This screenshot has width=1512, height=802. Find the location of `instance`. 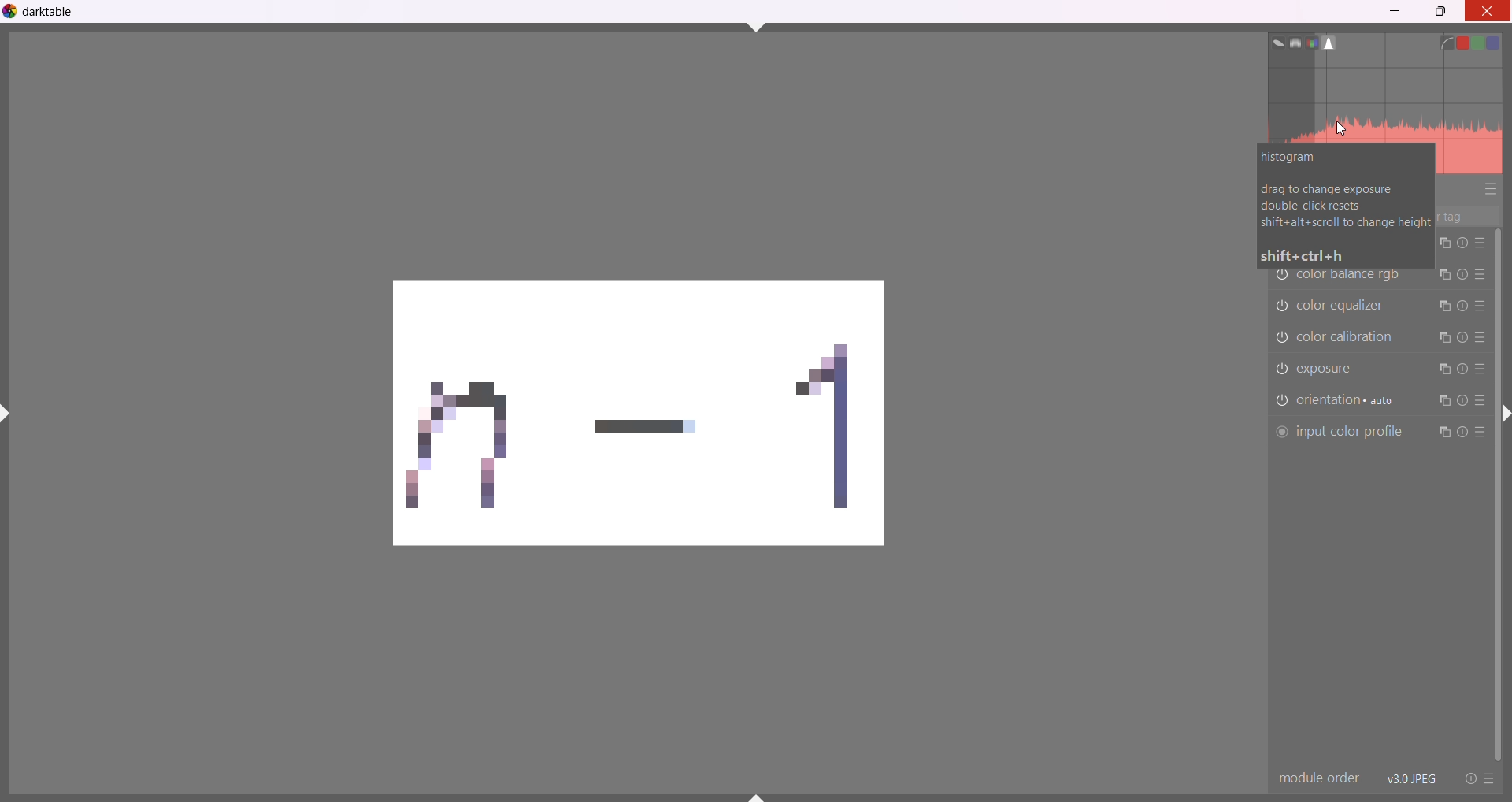

instance is located at coordinates (1440, 403).